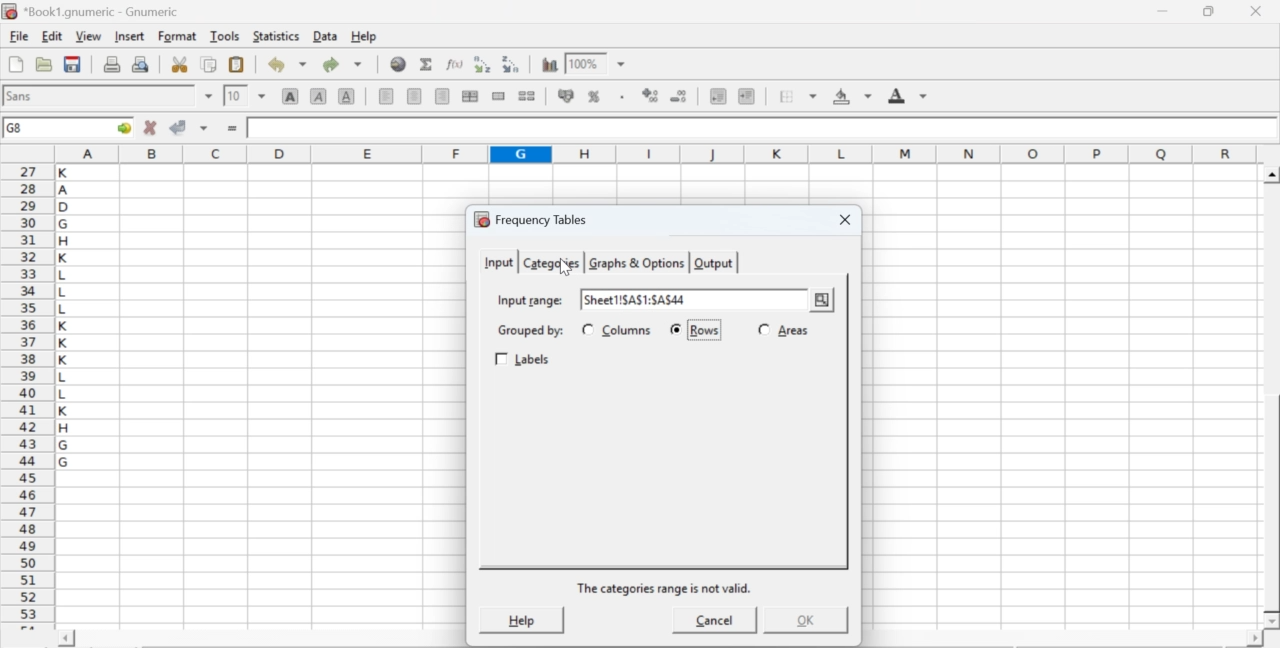 The height and width of the screenshot is (648, 1280). Describe the element at coordinates (320, 95) in the screenshot. I see `italic` at that location.